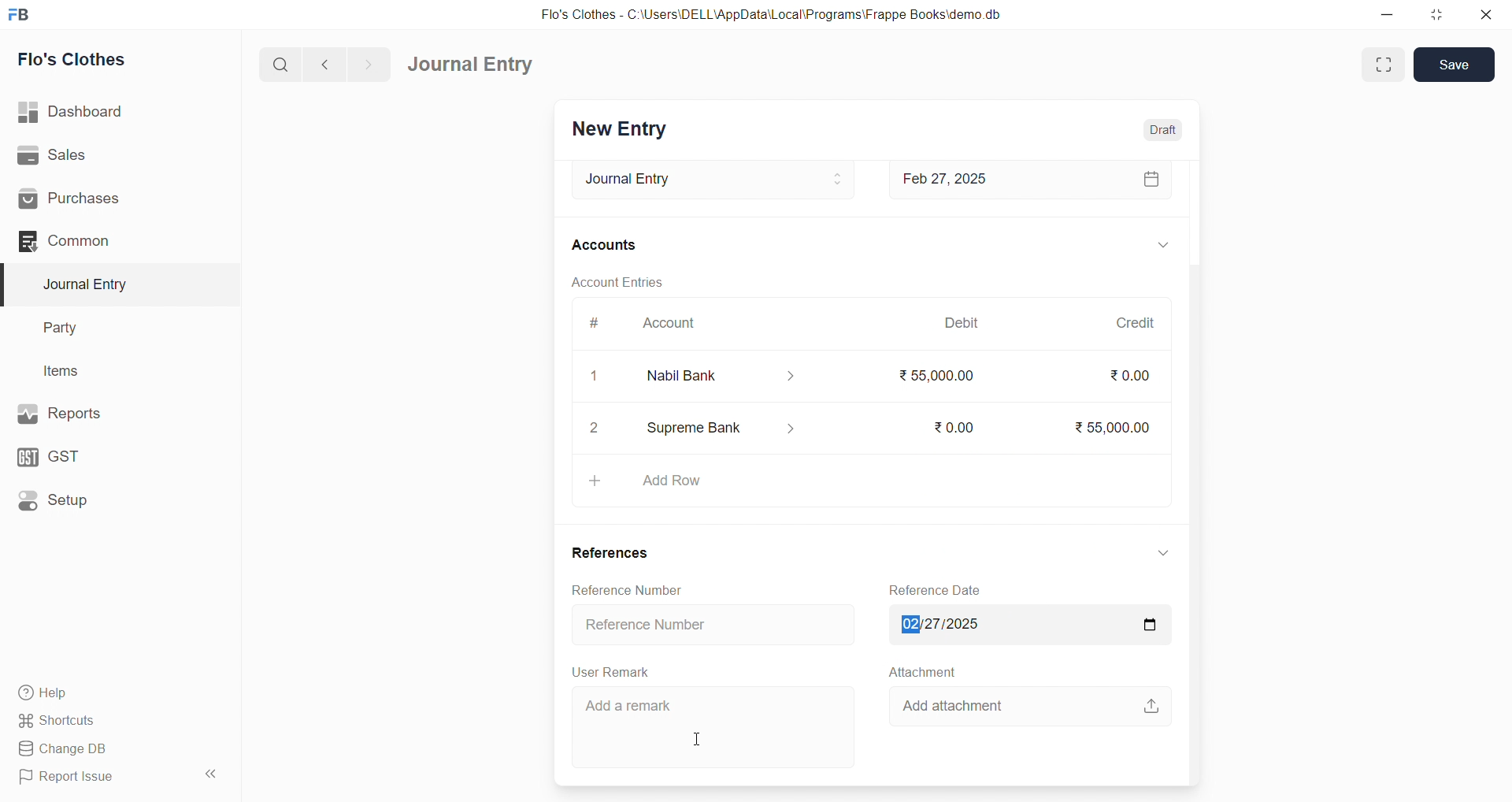  I want to click on ₹55,000.00, so click(1105, 425).